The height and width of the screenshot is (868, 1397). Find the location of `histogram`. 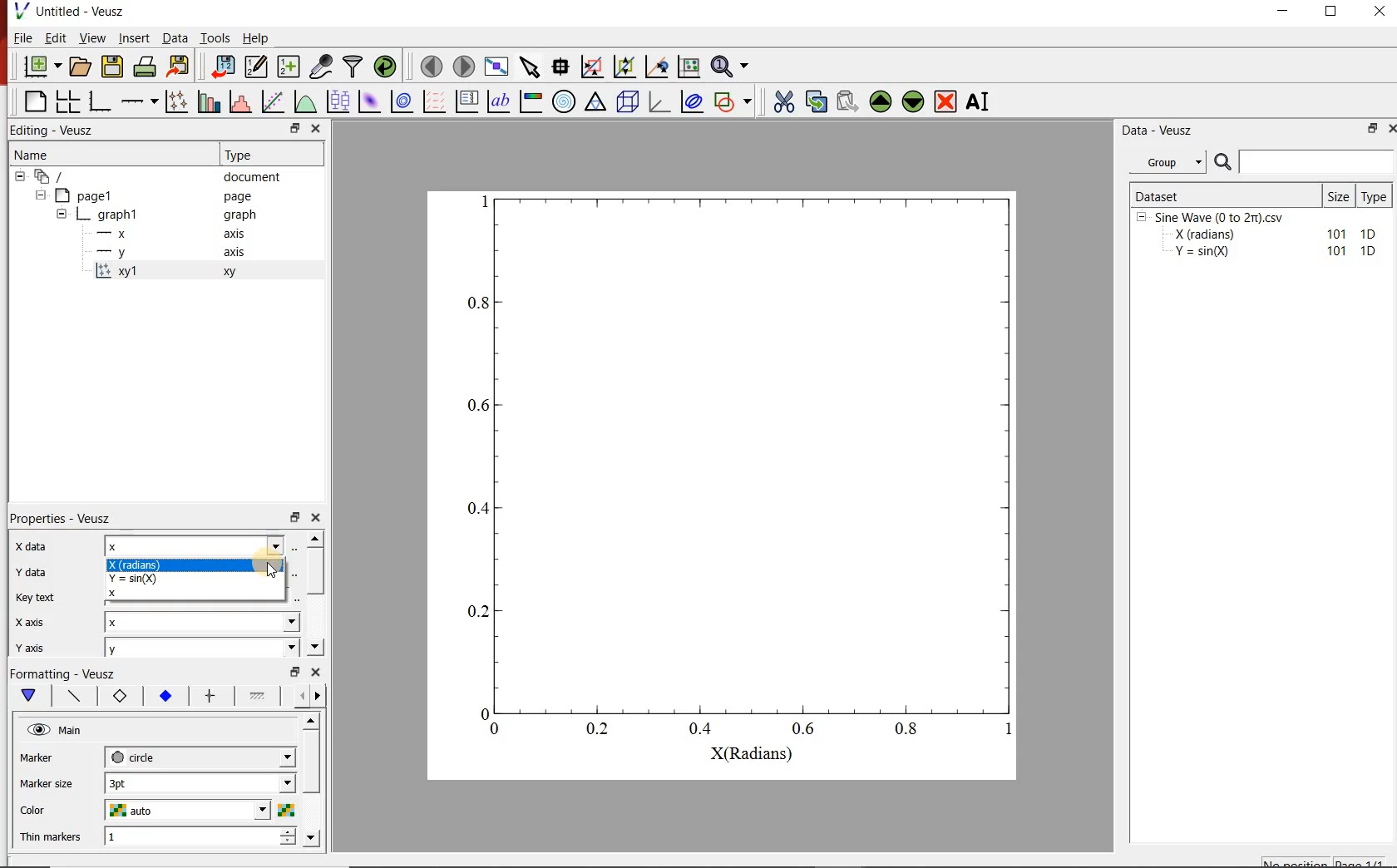

histogram is located at coordinates (242, 101).